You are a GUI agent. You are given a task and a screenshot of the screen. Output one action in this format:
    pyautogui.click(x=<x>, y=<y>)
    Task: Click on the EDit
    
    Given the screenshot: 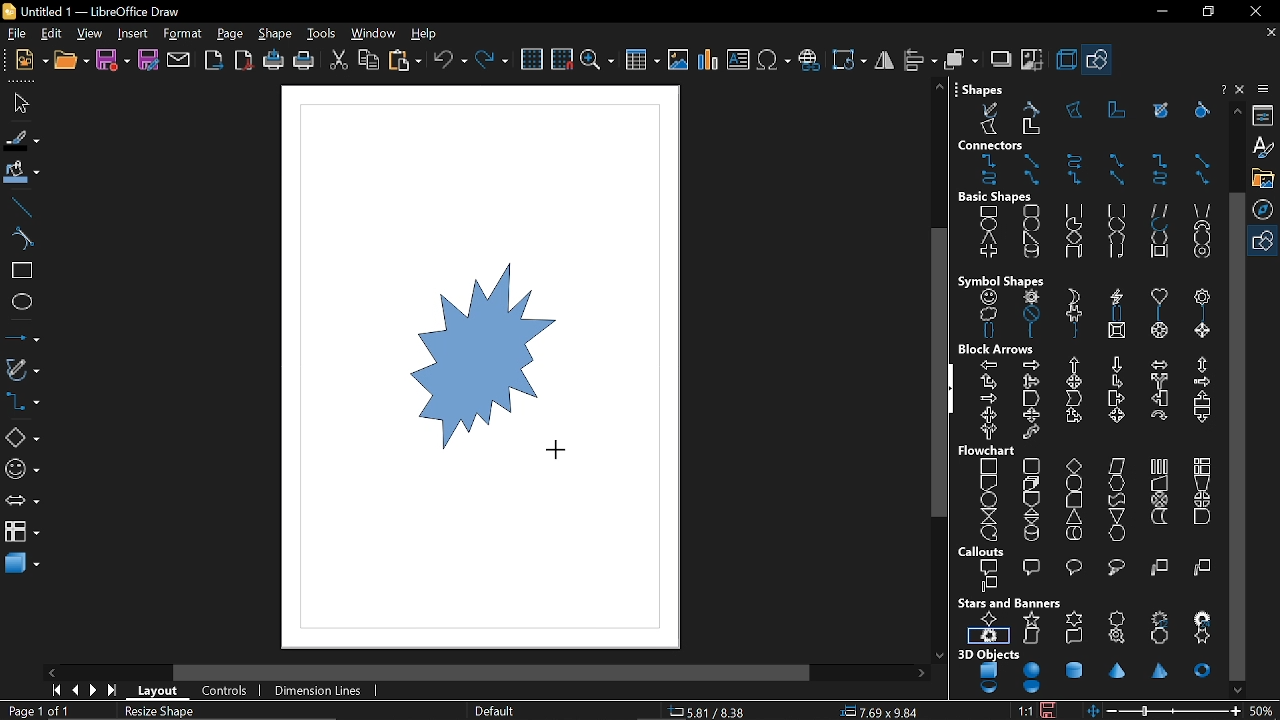 What is the action you would take?
    pyautogui.click(x=52, y=34)
    